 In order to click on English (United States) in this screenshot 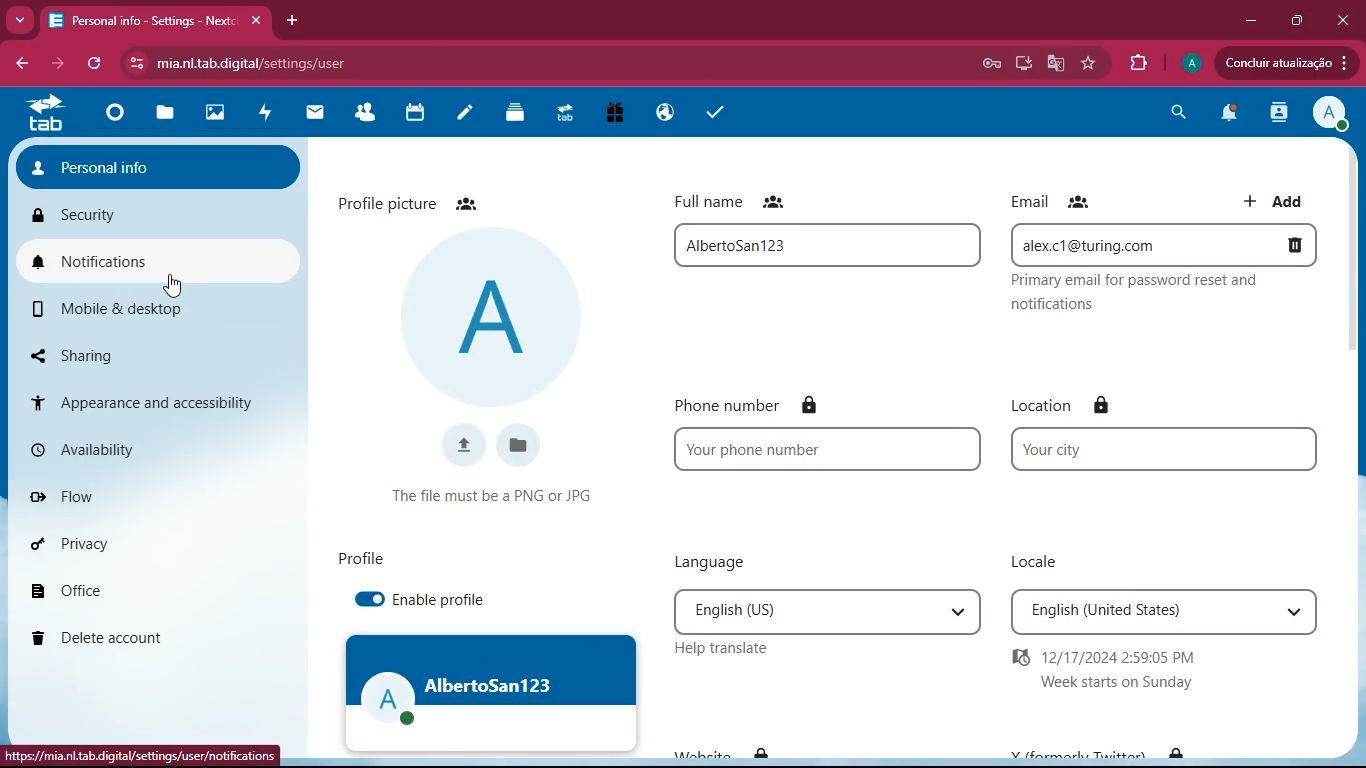, I will do `click(1177, 611)`.